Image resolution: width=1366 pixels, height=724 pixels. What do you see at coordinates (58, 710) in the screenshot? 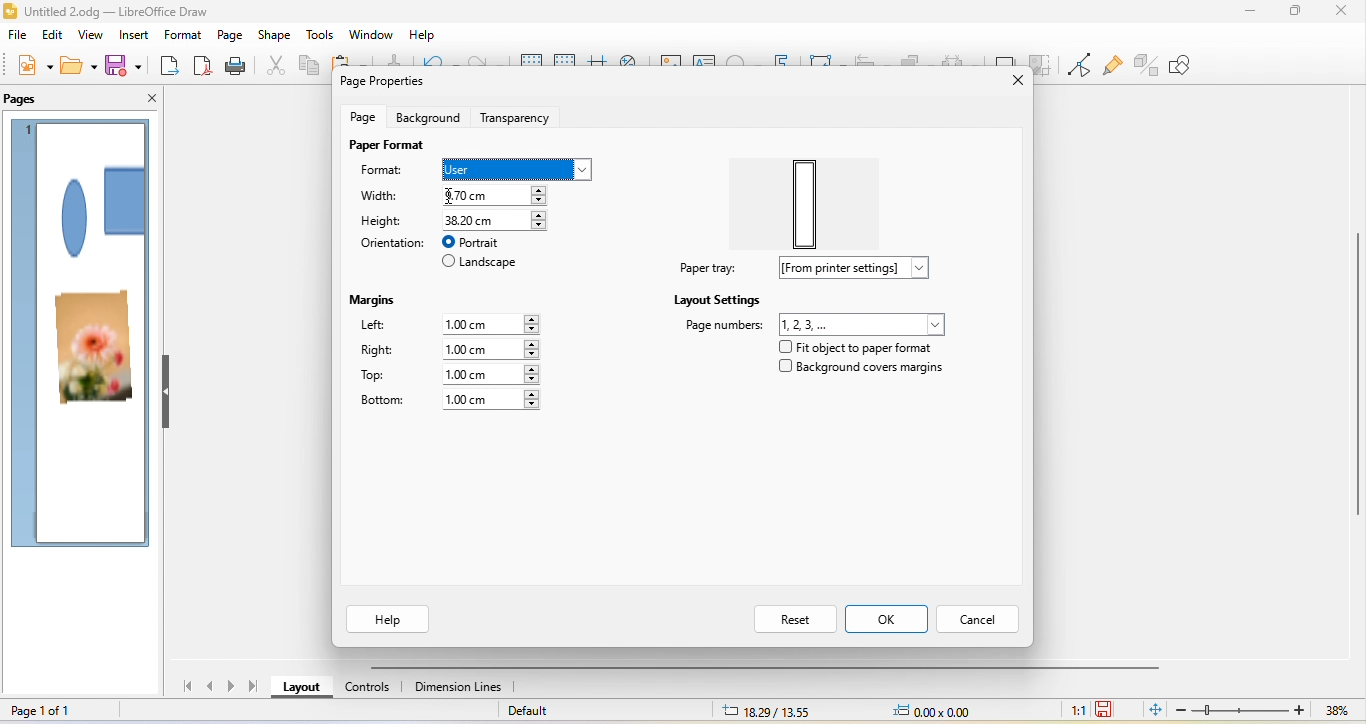
I see `page 1 of 1` at bounding box center [58, 710].